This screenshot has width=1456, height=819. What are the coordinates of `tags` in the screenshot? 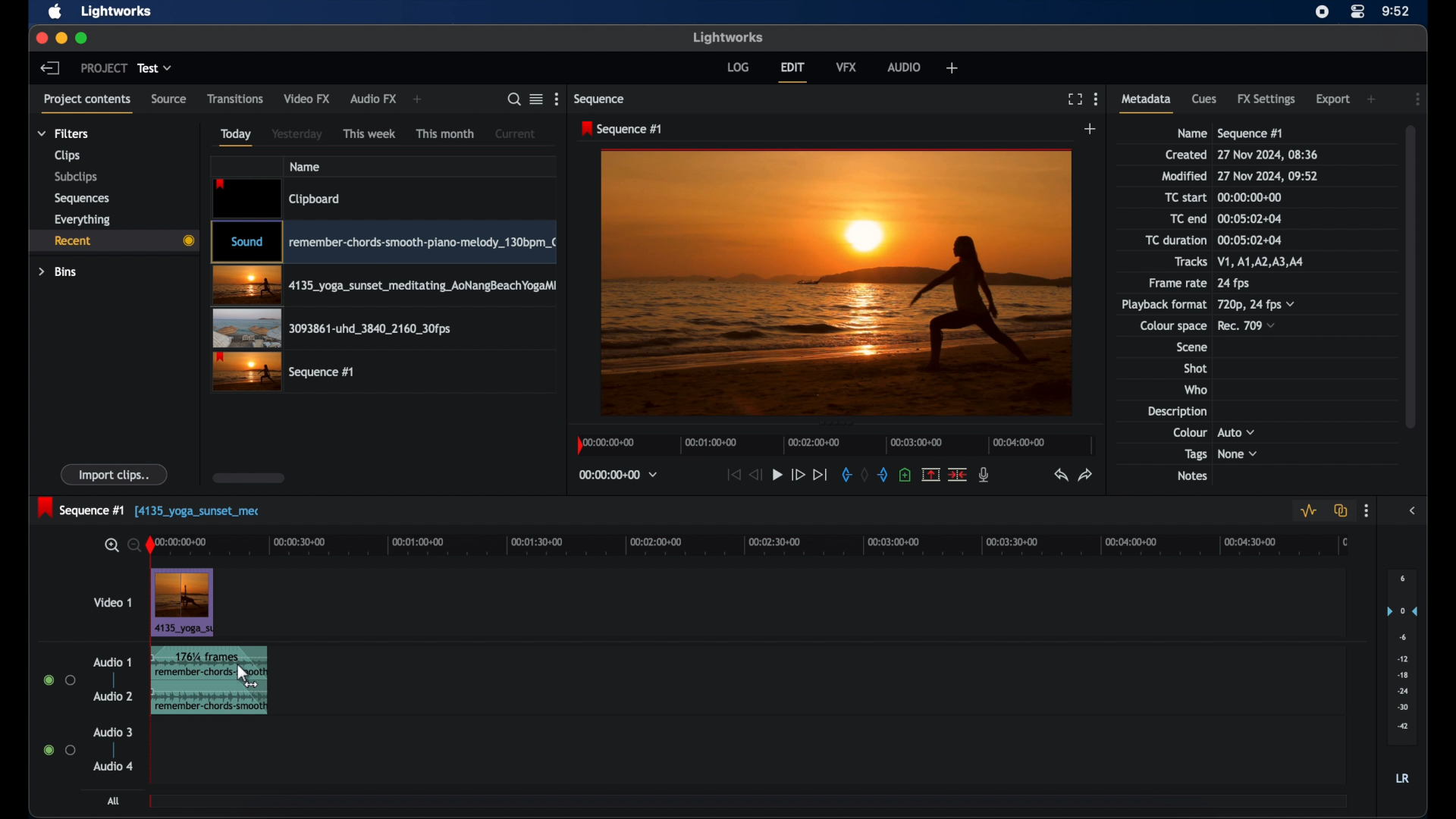 It's located at (1195, 455).